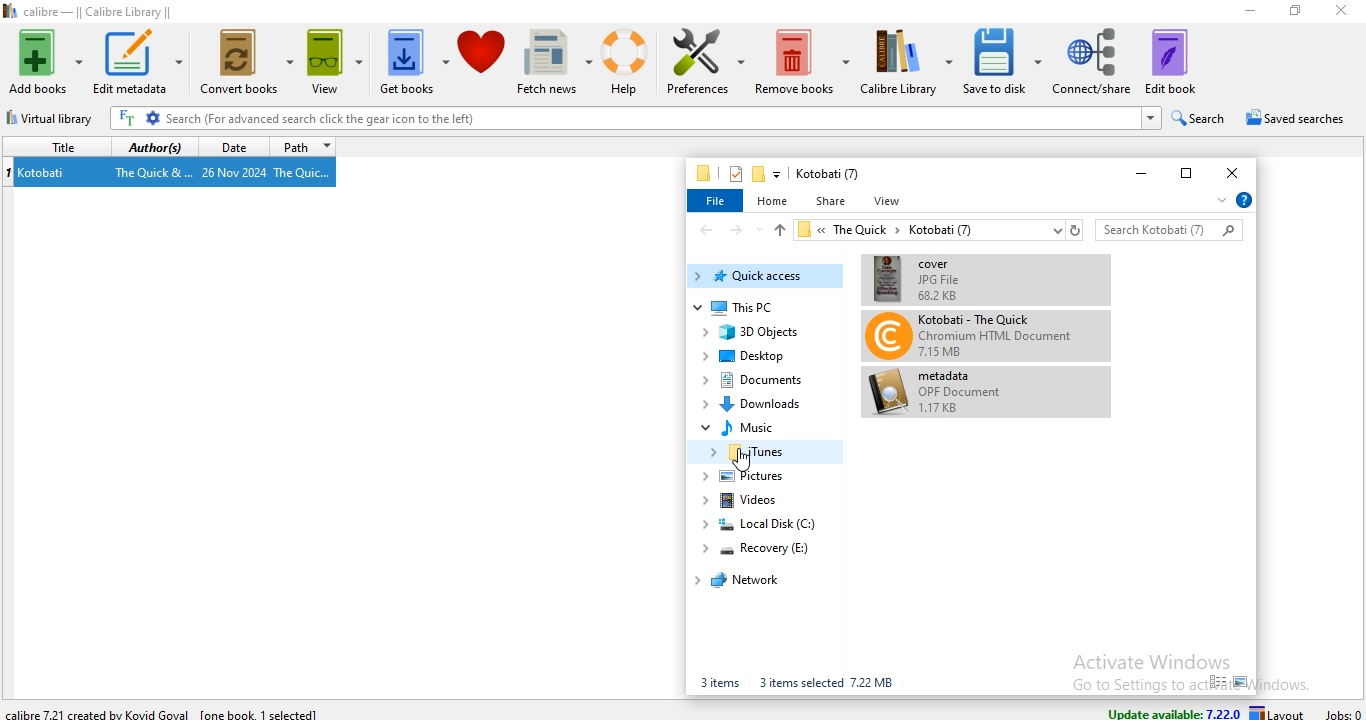  What do you see at coordinates (1242, 682) in the screenshot?
I see `large icon view` at bounding box center [1242, 682].